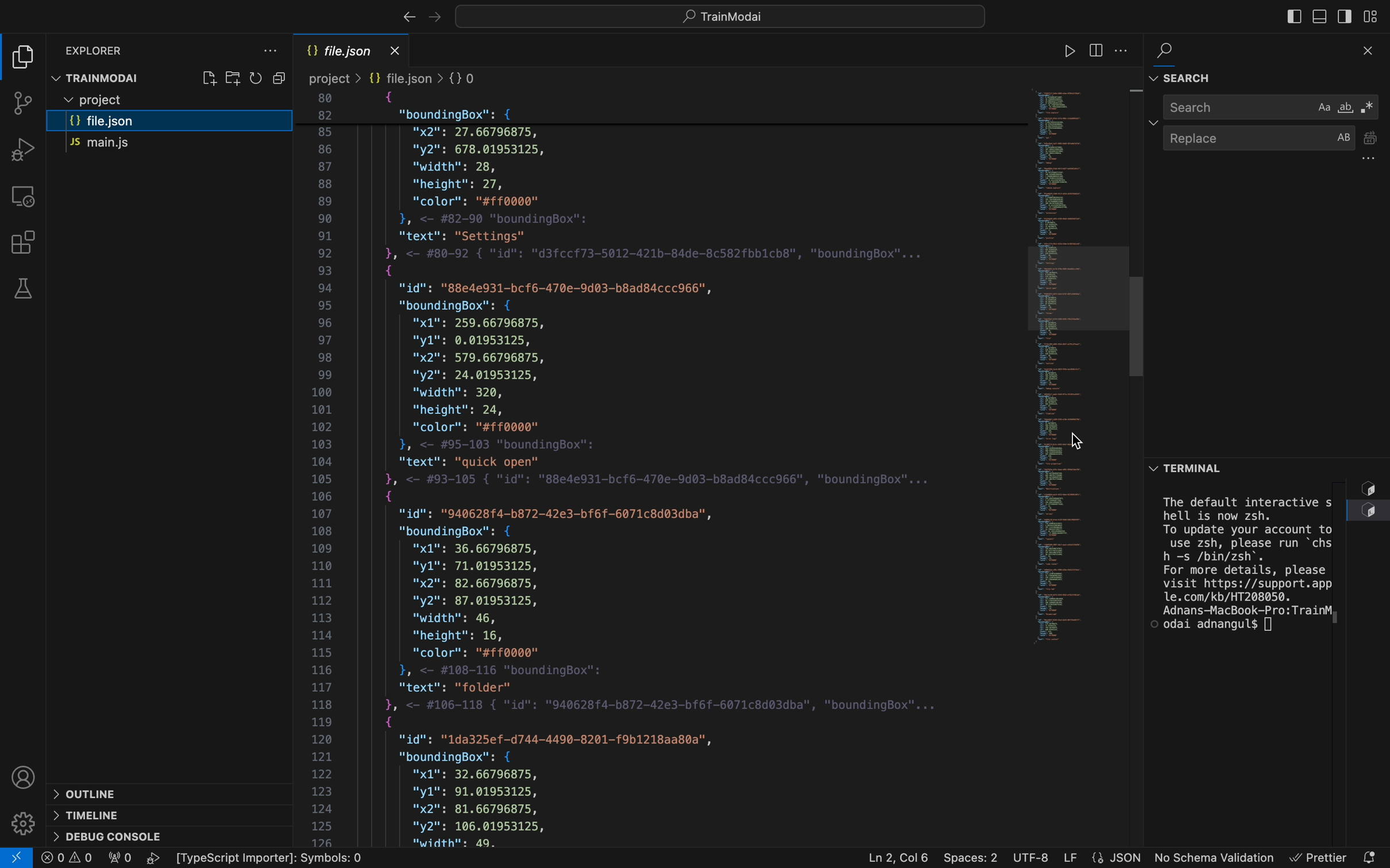  I want to click on toggle secondary bar, so click(1342, 14).